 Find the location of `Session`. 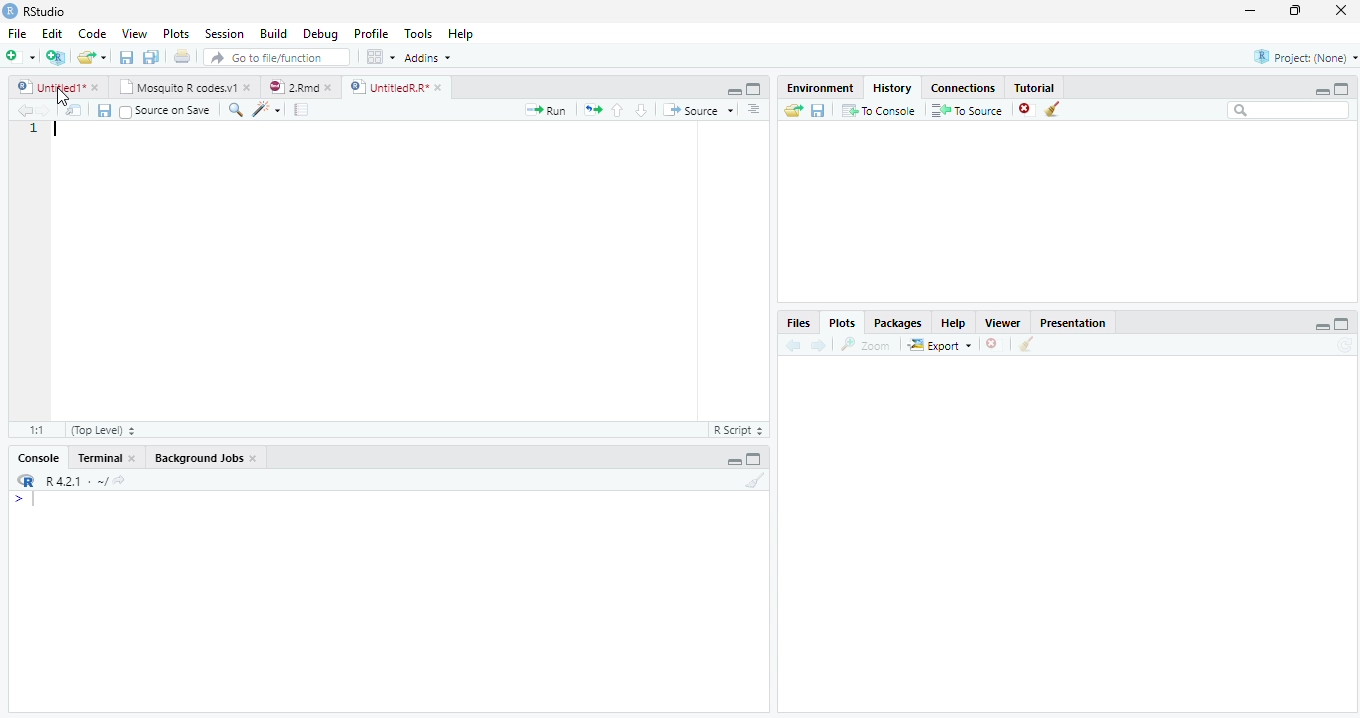

Session is located at coordinates (224, 35).